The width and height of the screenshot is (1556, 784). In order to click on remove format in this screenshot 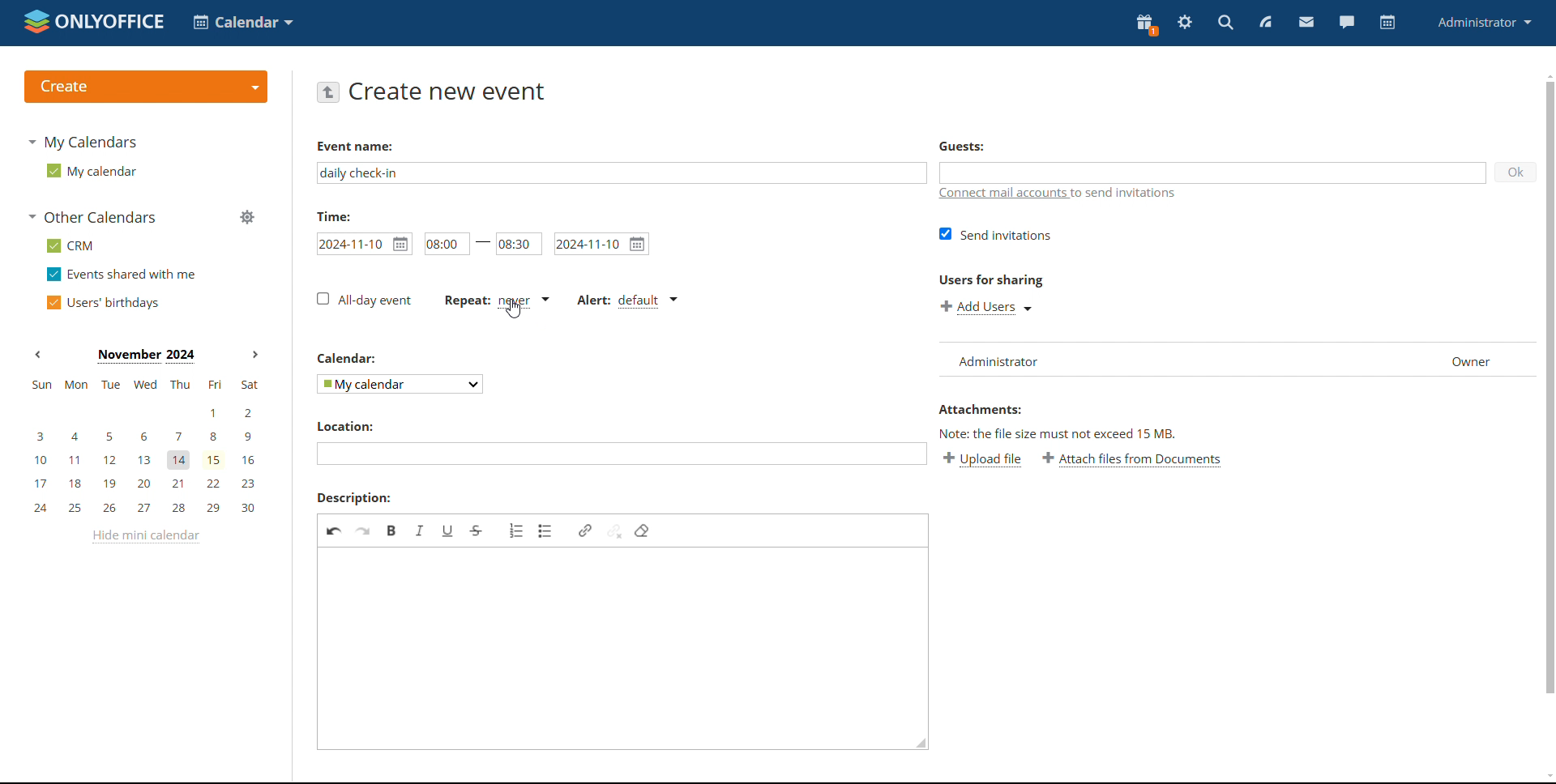, I will do `click(641, 530)`.